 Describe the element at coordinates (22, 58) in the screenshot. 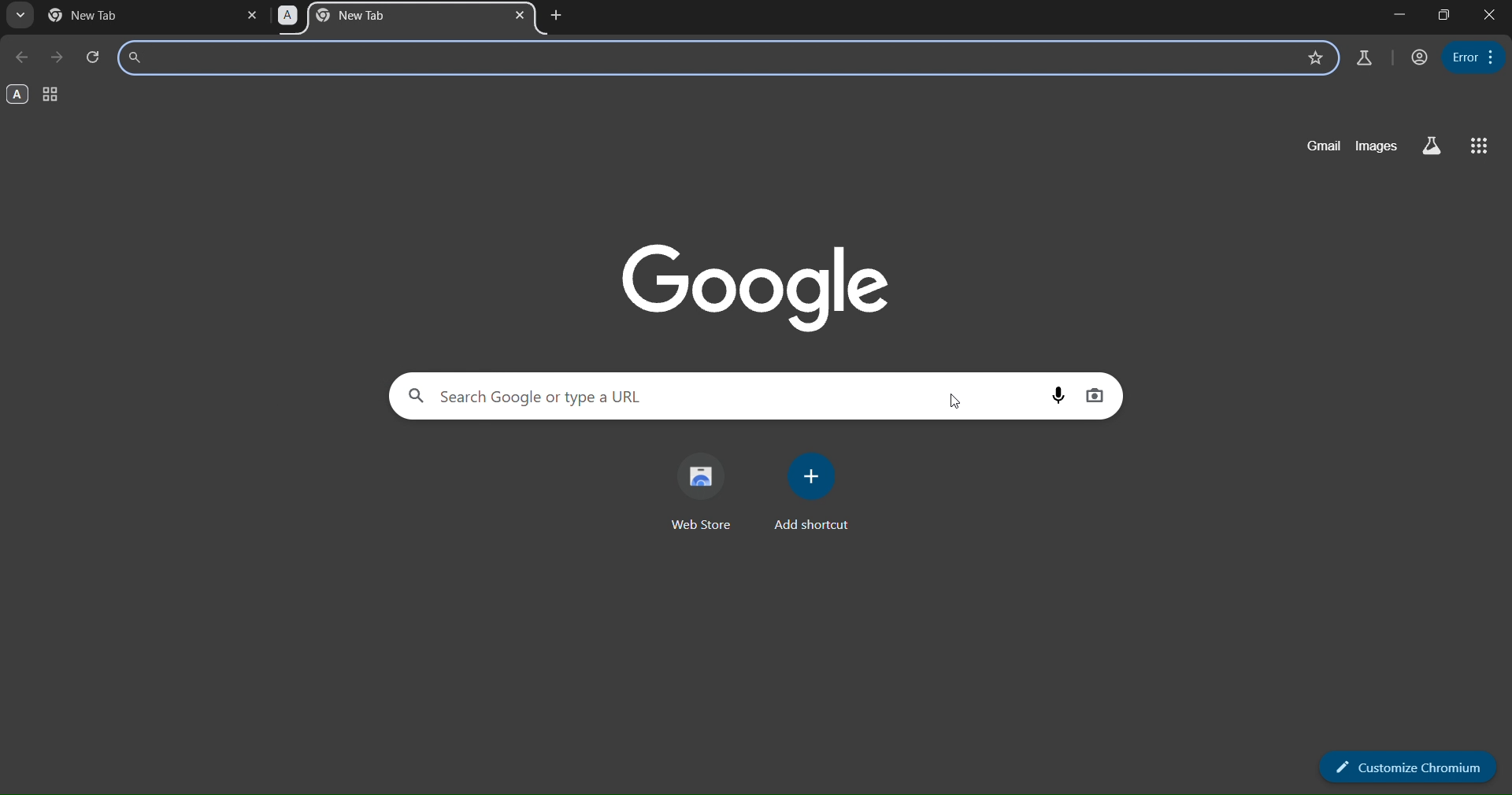

I see `go back one page` at that location.